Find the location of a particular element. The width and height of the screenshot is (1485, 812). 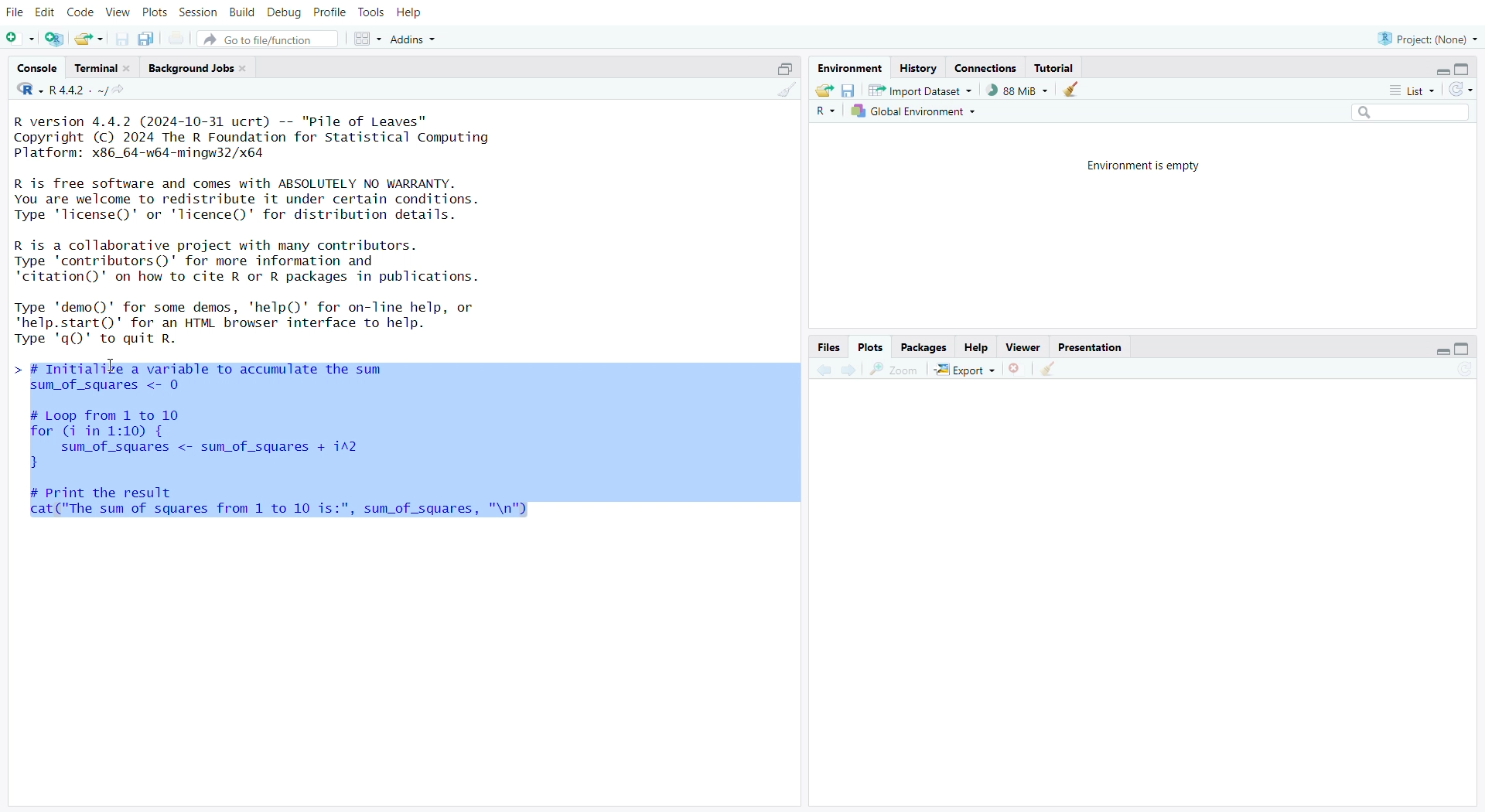

empty plot area is located at coordinates (1149, 592).